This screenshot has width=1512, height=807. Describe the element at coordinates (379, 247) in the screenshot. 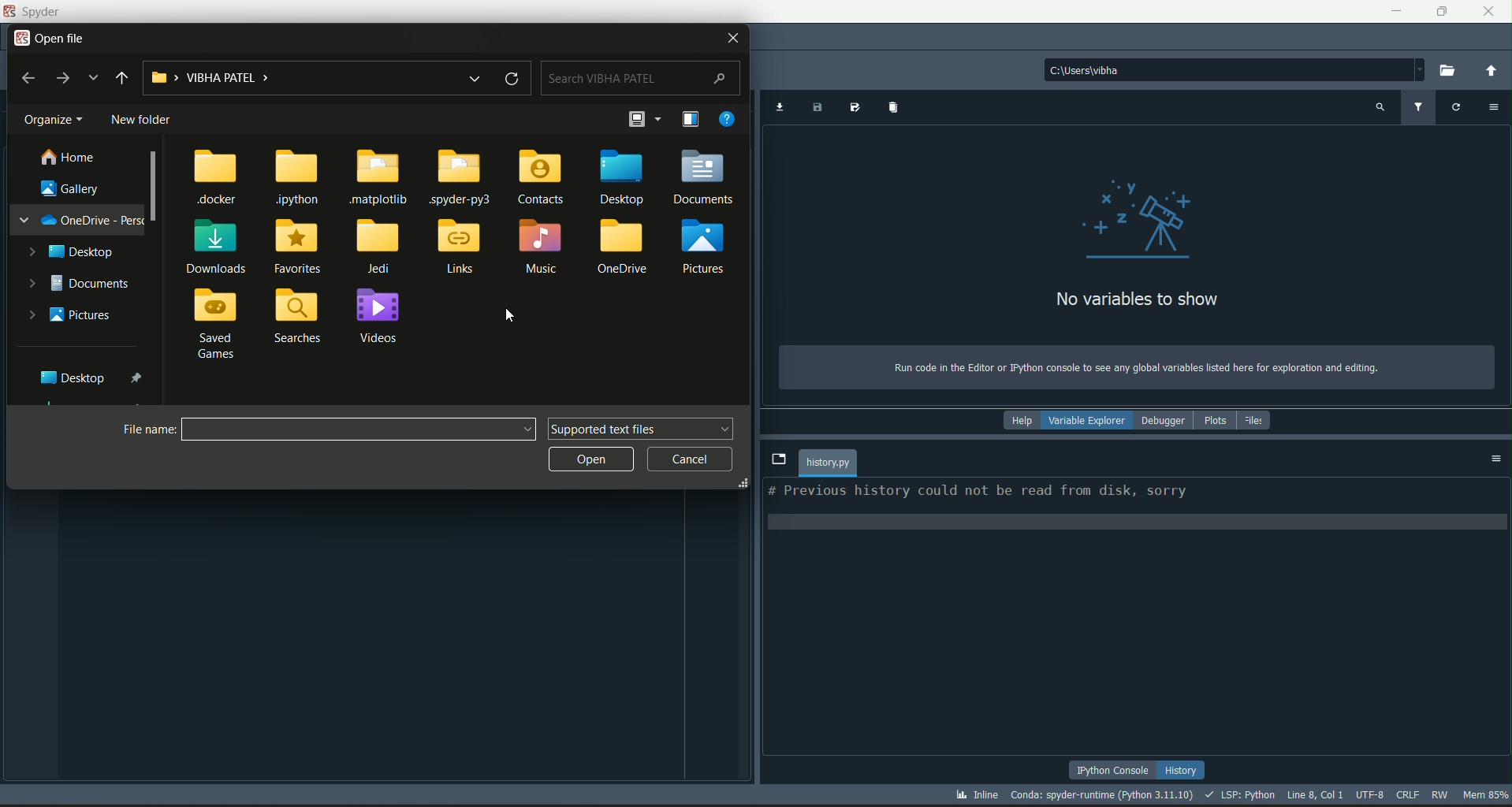

I see `jedi` at that location.